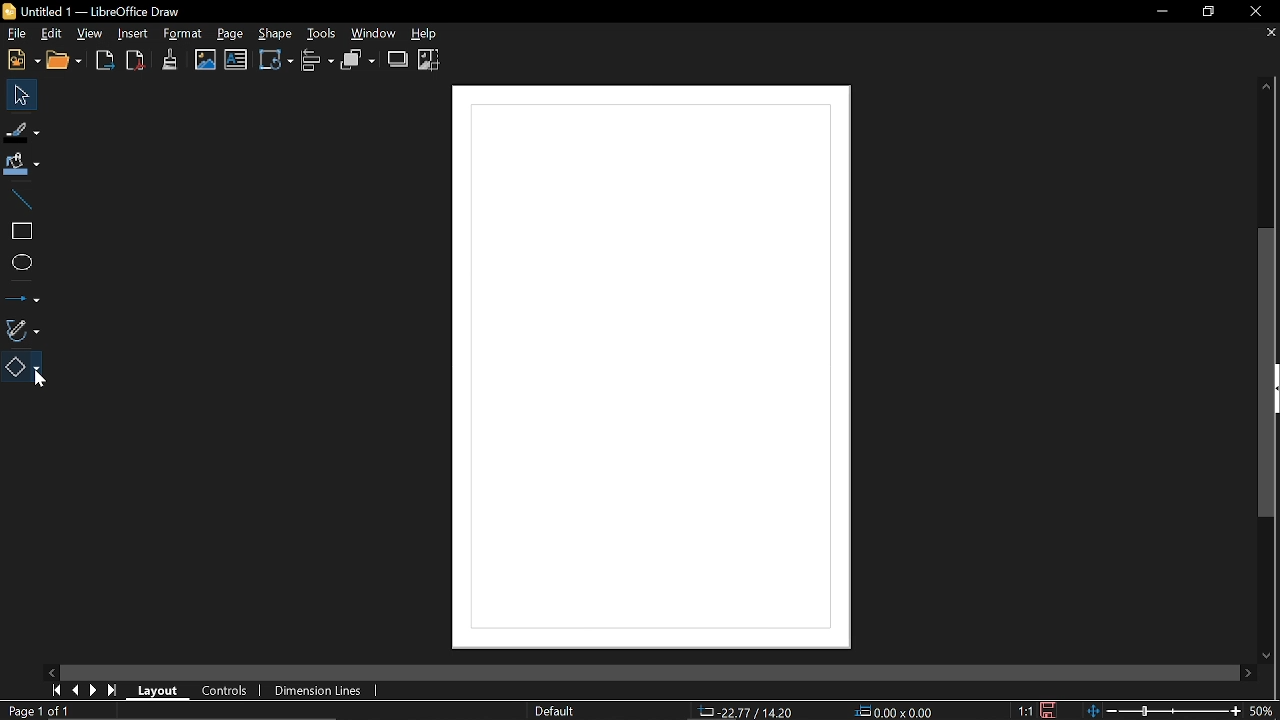  I want to click on Edit, so click(51, 35).